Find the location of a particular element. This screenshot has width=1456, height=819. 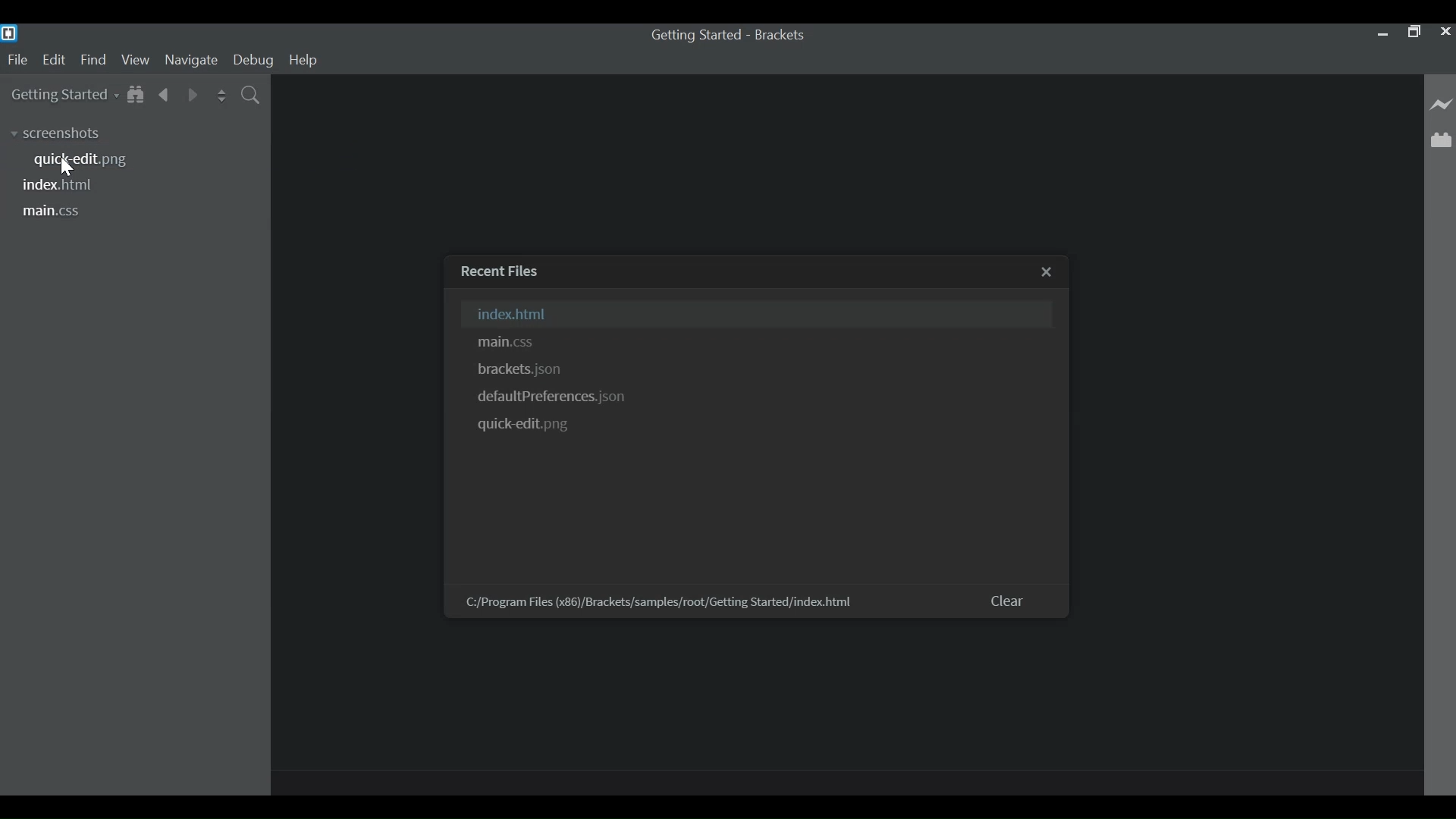

index.html is located at coordinates (62, 186).